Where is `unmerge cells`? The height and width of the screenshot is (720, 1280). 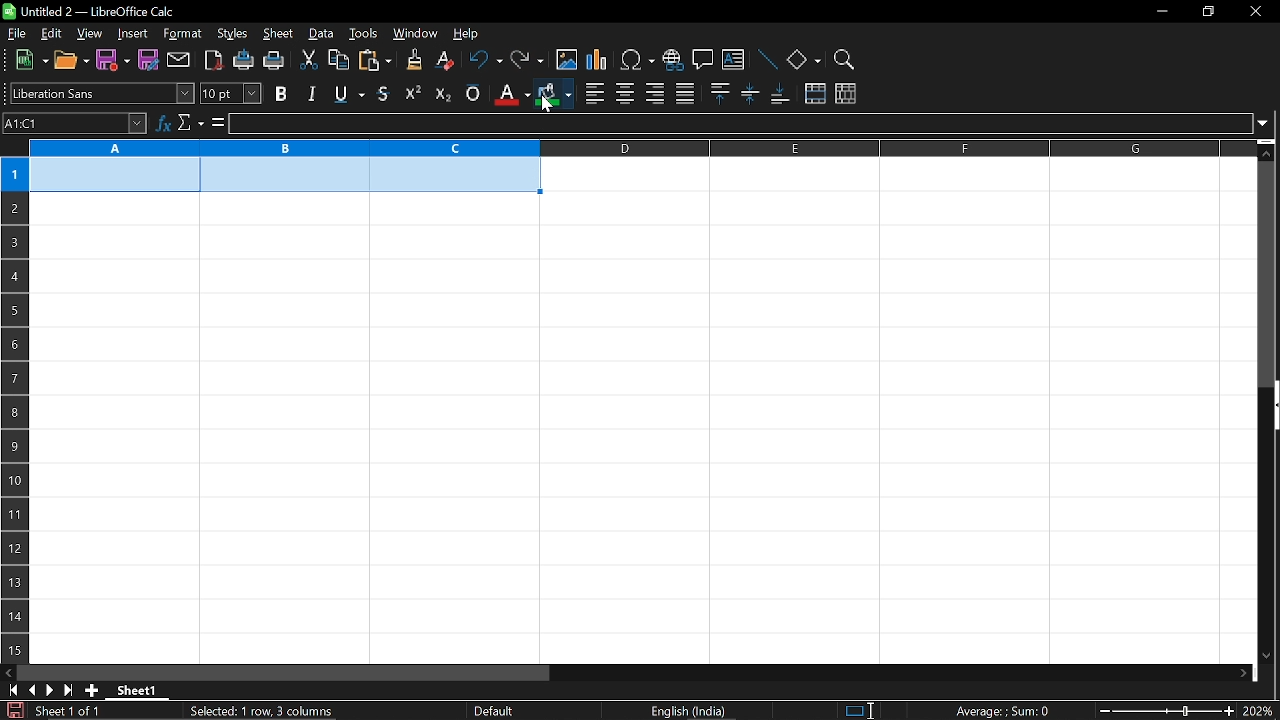
unmerge cells is located at coordinates (846, 95).